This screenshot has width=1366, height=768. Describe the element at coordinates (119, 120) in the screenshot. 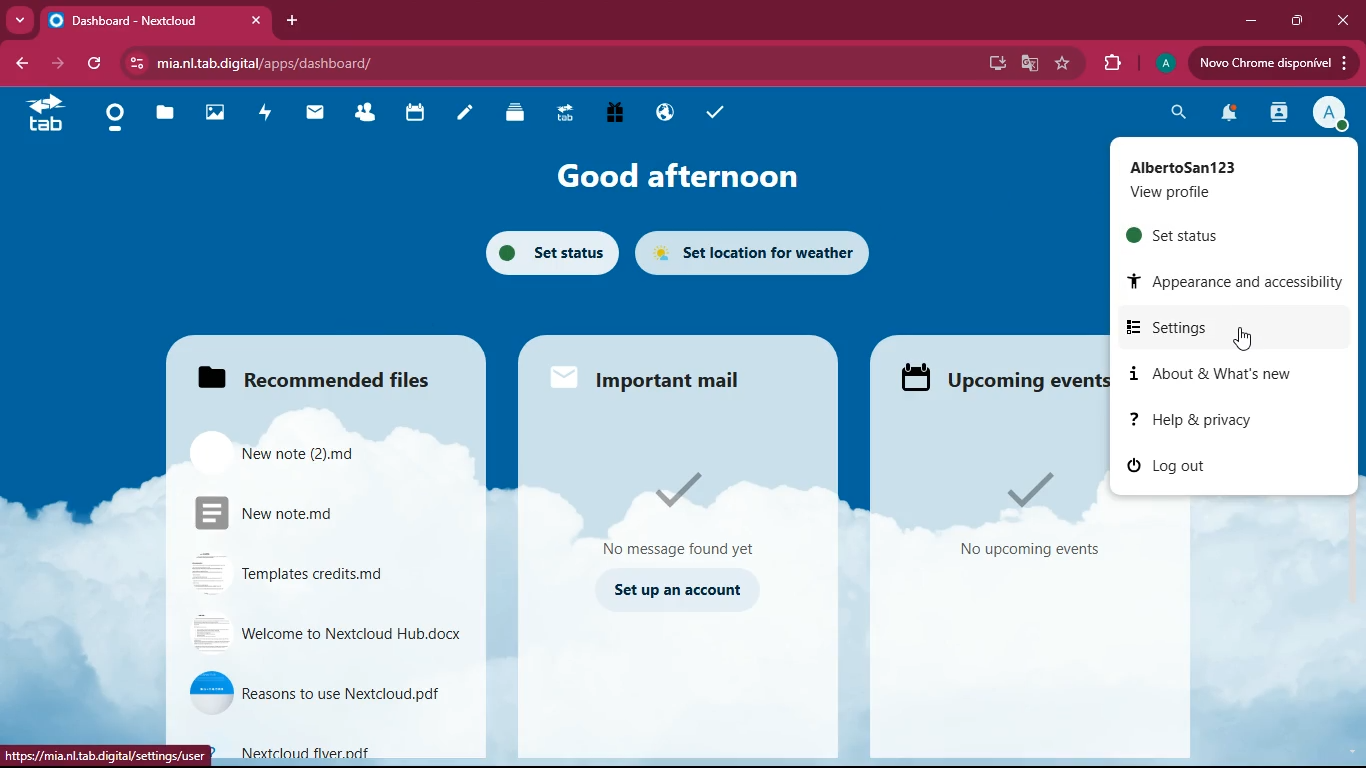

I see `home` at that location.